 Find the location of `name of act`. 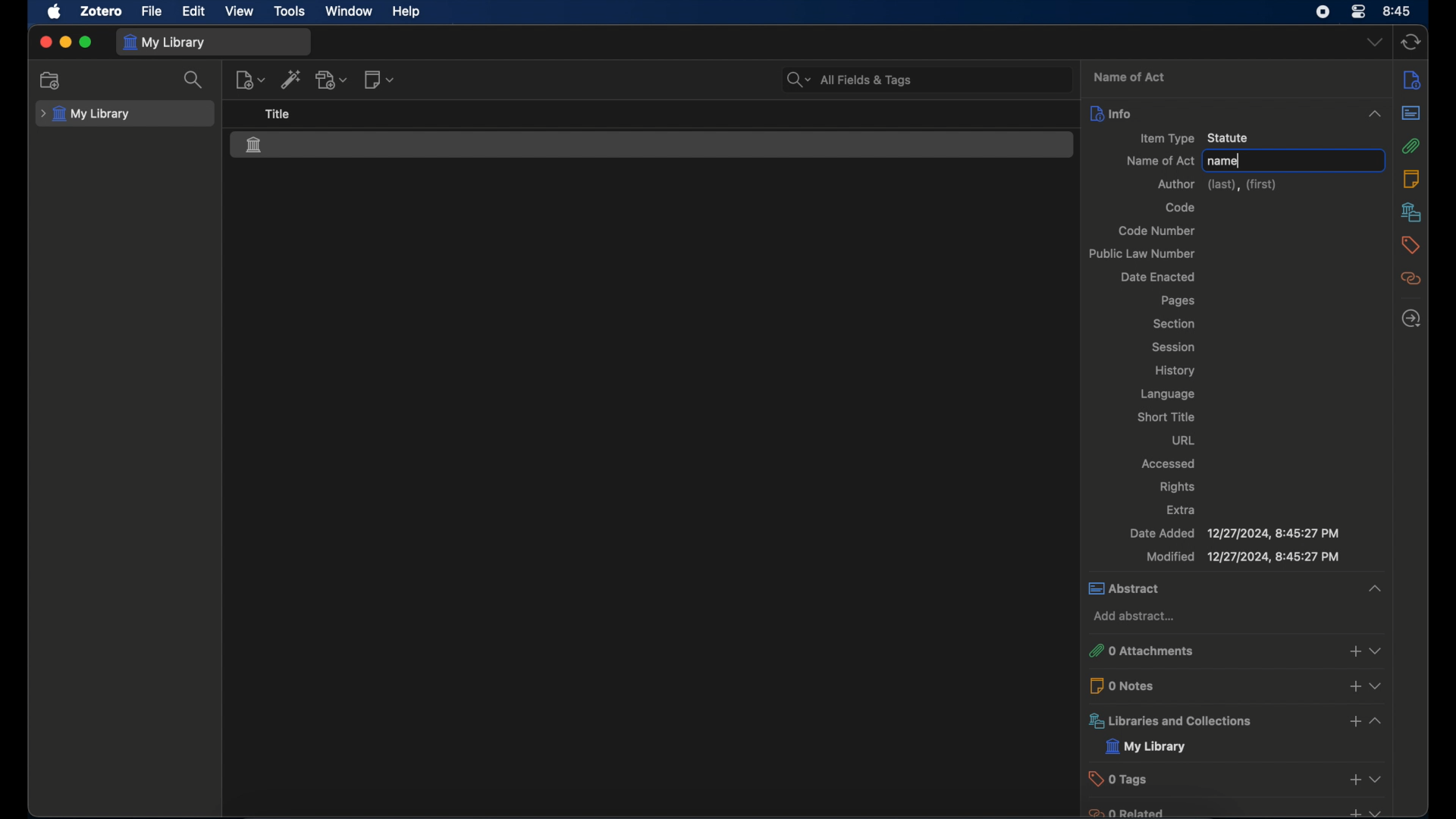

name of act is located at coordinates (1159, 161).